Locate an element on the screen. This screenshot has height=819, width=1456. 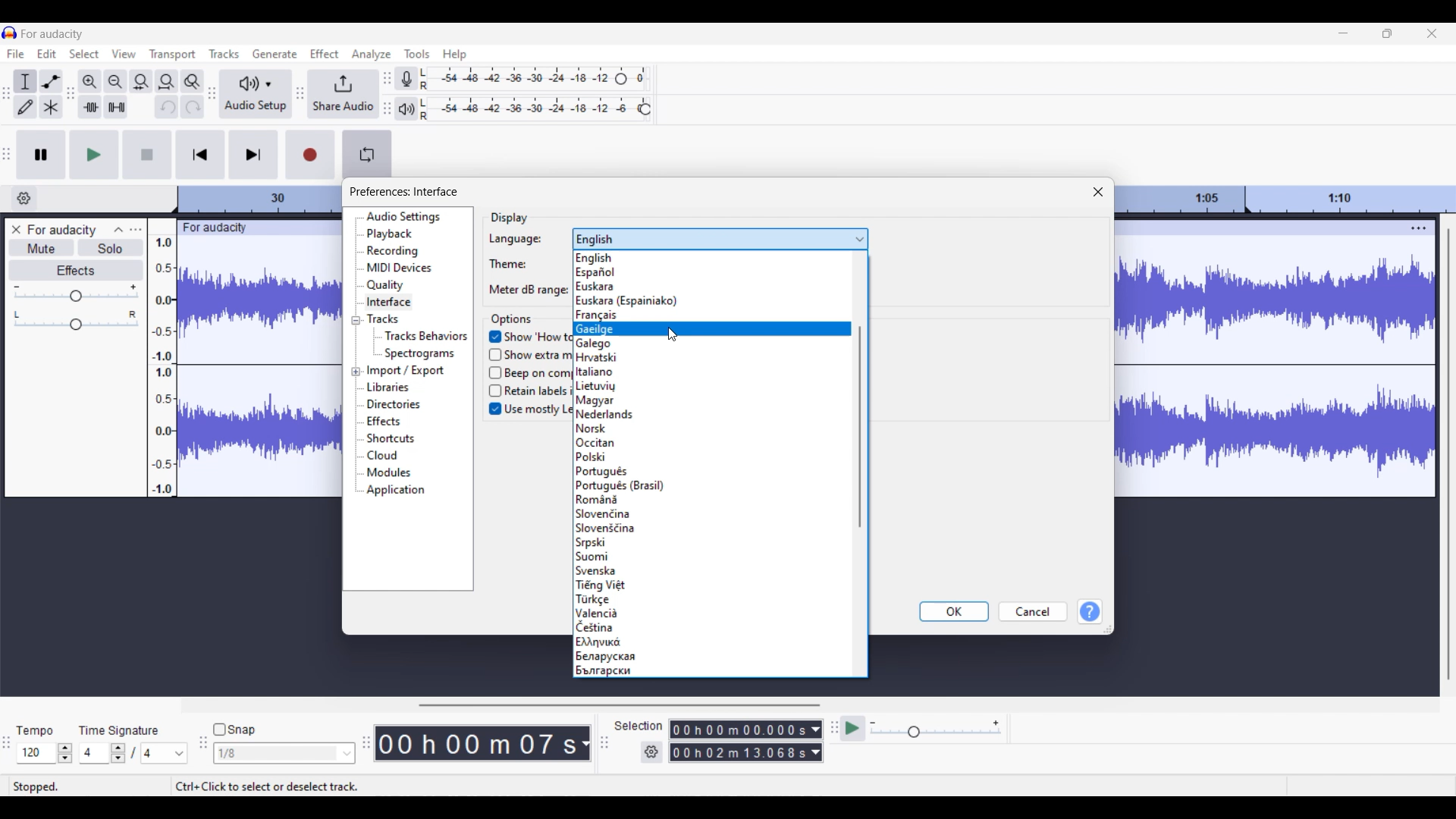
Retain labels if selection snaps to a label is located at coordinates (524, 392).